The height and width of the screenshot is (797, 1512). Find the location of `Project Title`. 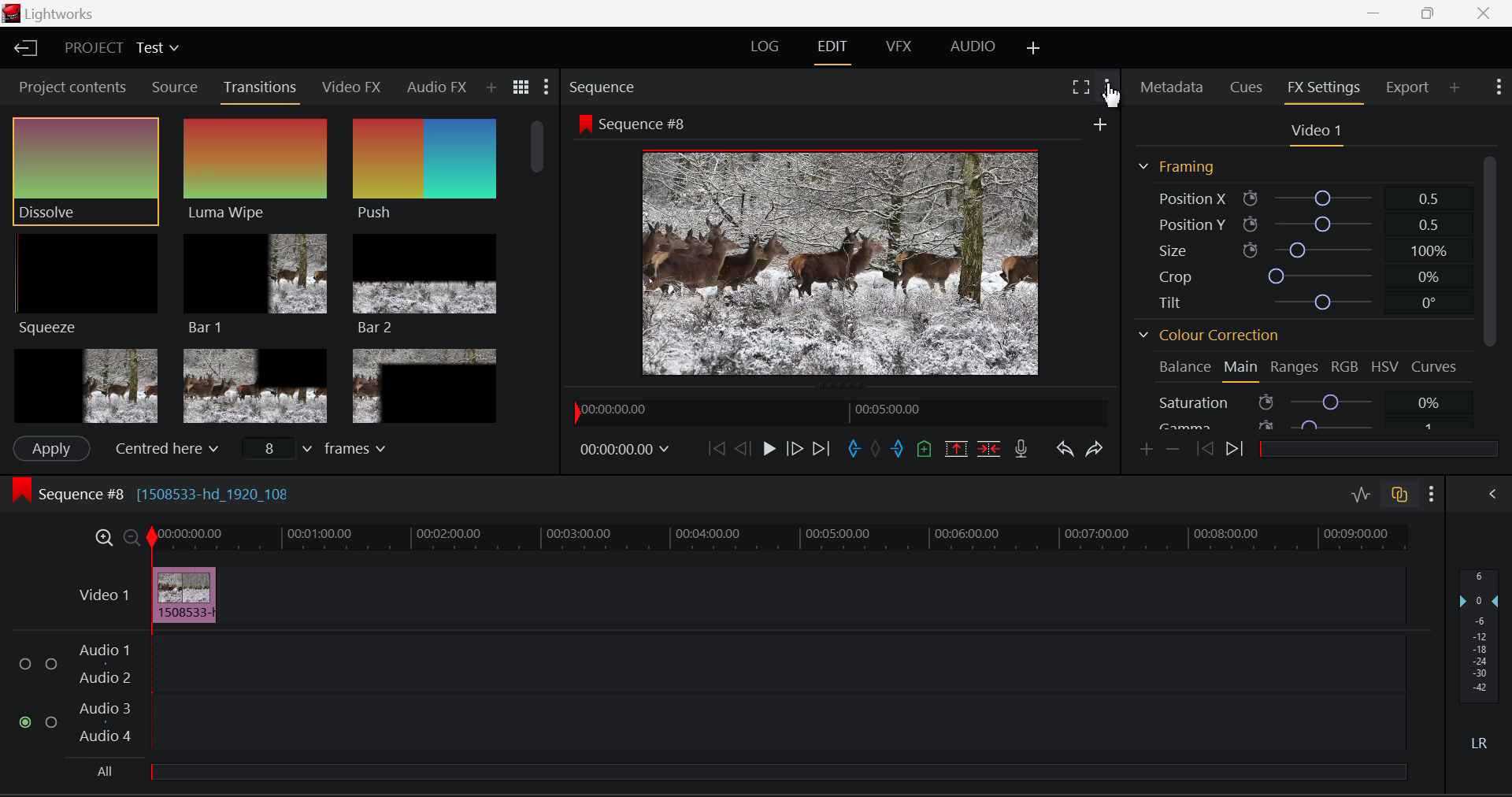

Project Title is located at coordinates (119, 47).